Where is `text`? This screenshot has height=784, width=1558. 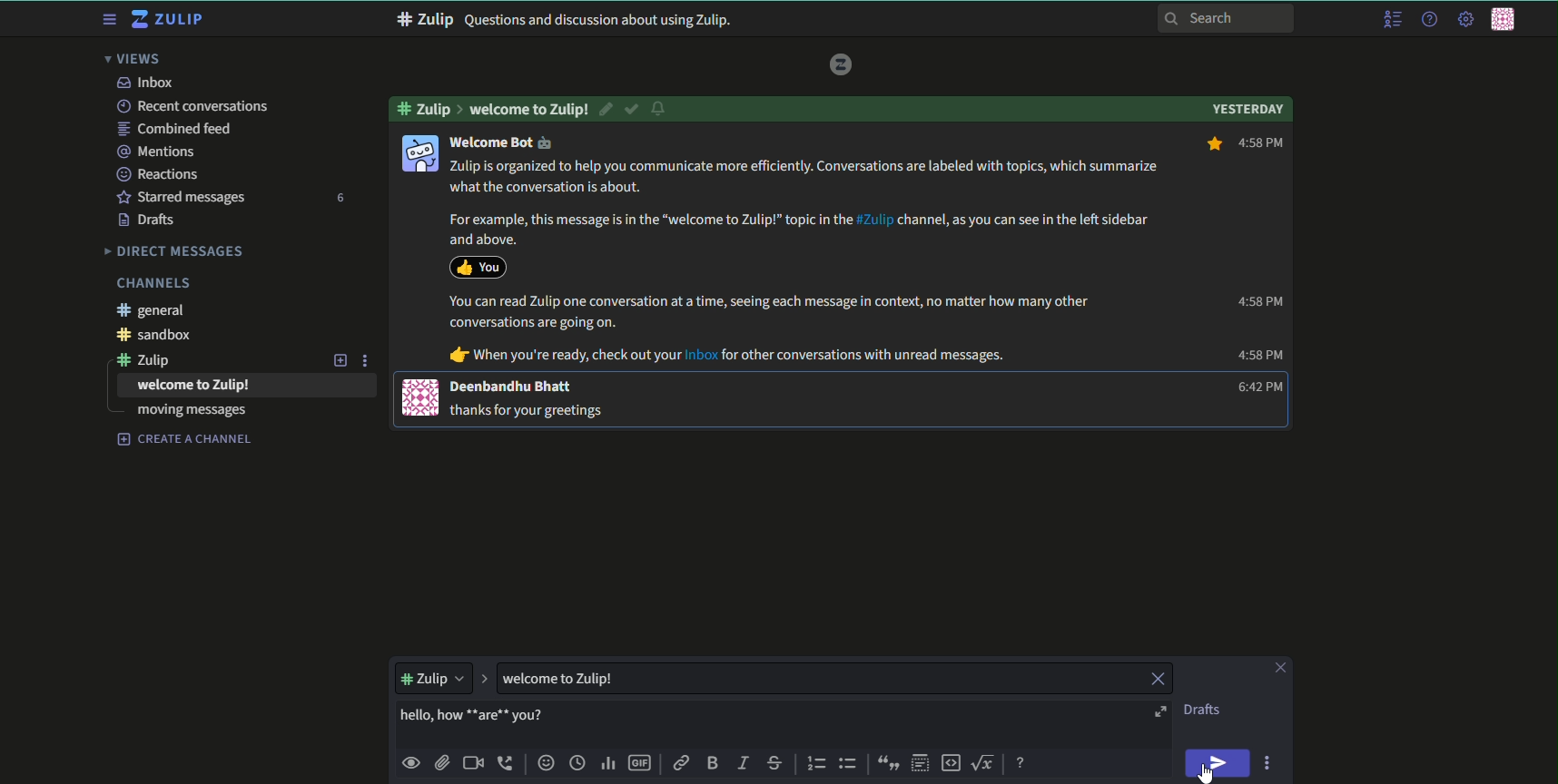
text is located at coordinates (1204, 710).